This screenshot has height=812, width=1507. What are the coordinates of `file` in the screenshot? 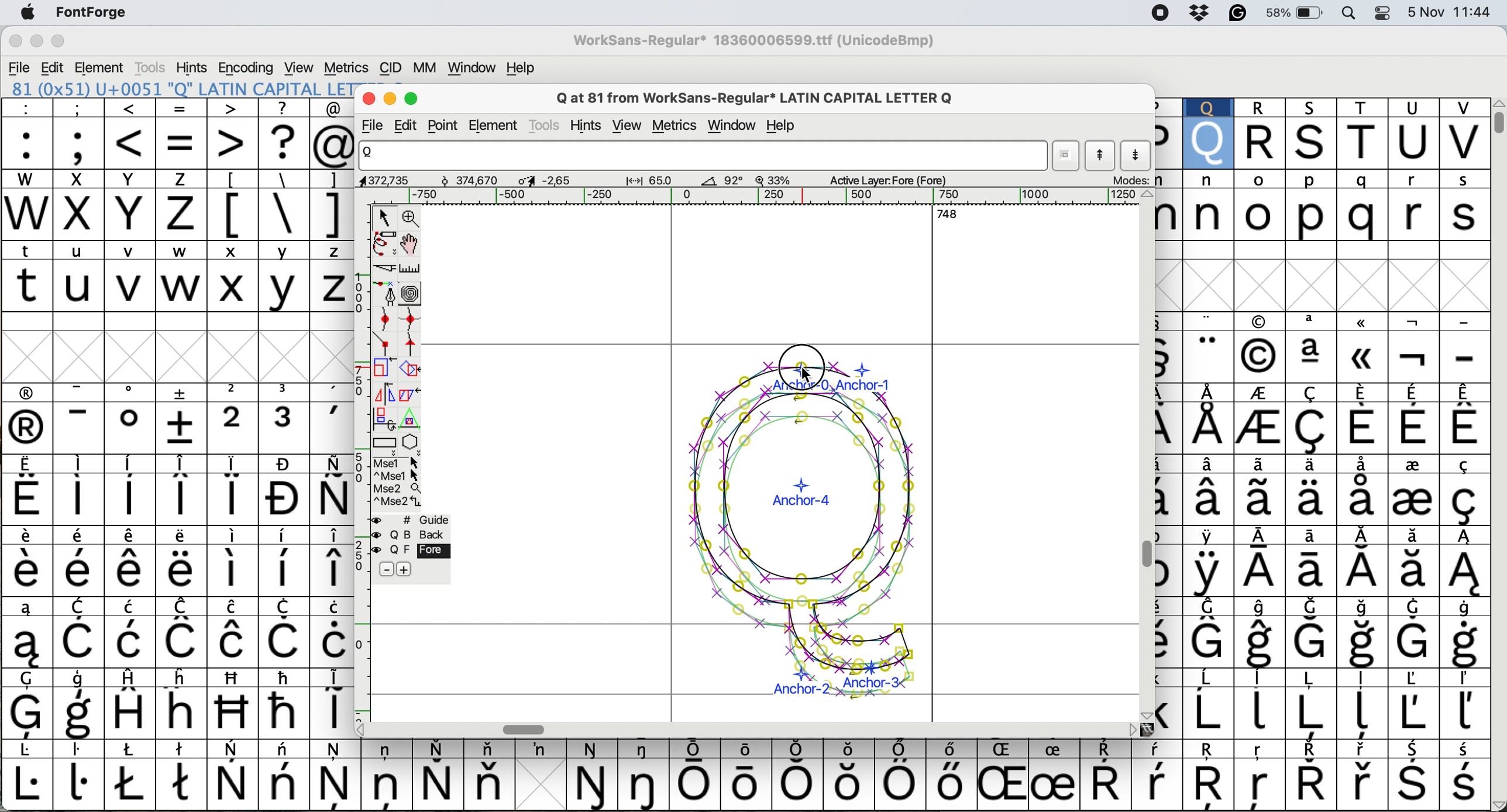 It's located at (20, 66).